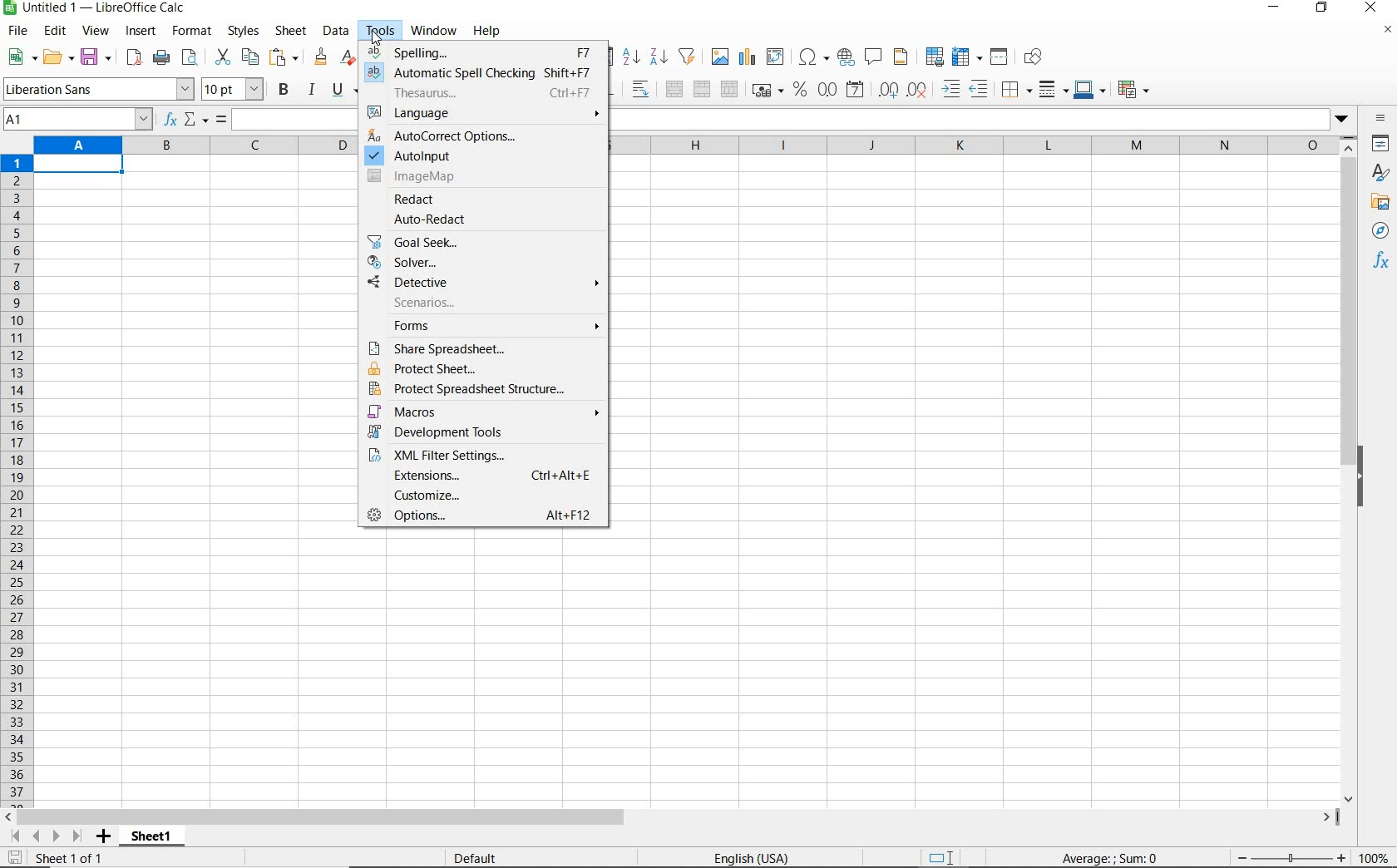 This screenshot has height=868, width=1397. I want to click on redact, so click(422, 199).